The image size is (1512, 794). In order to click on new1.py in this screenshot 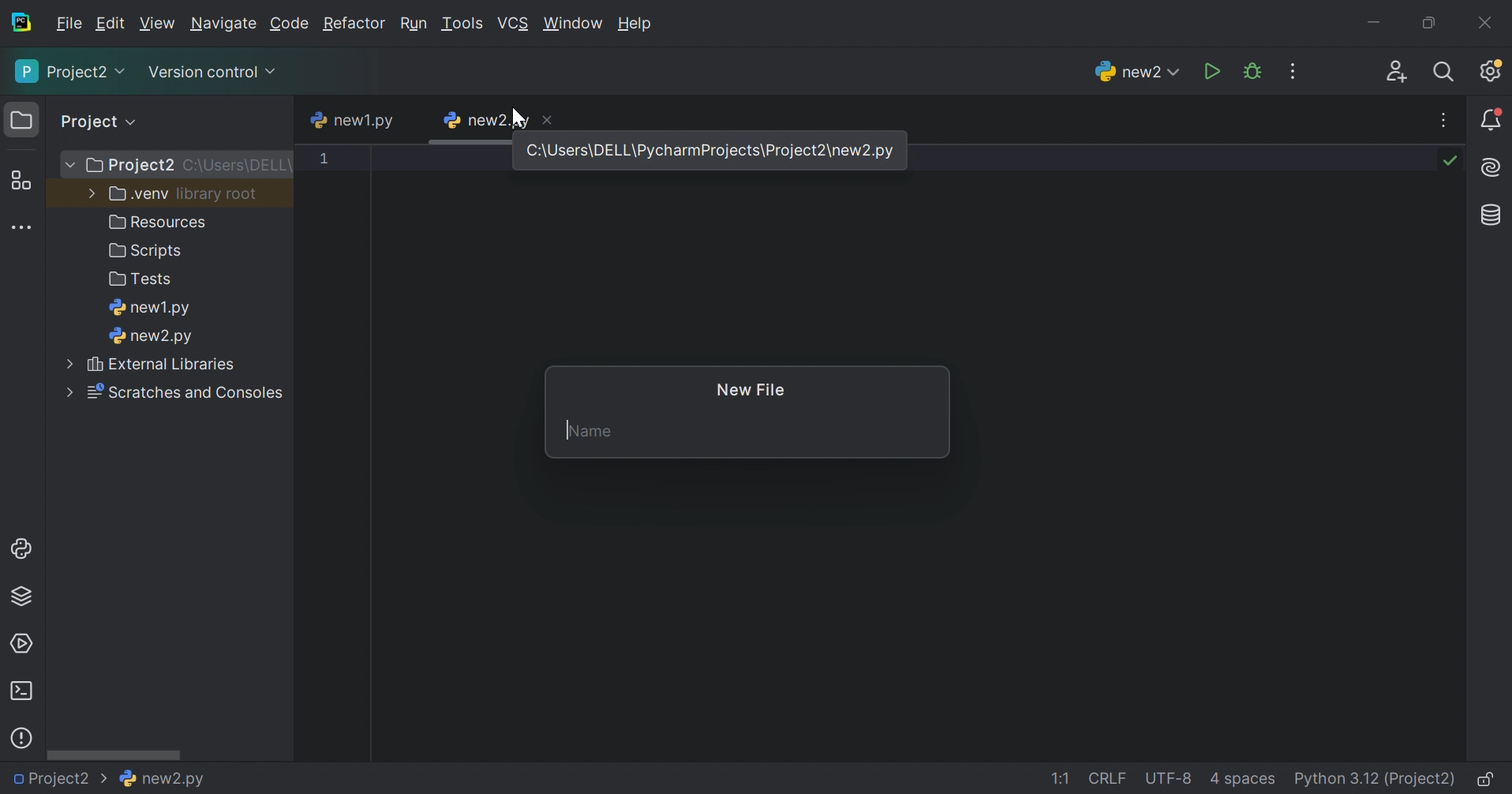, I will do `click(352, 122)`.